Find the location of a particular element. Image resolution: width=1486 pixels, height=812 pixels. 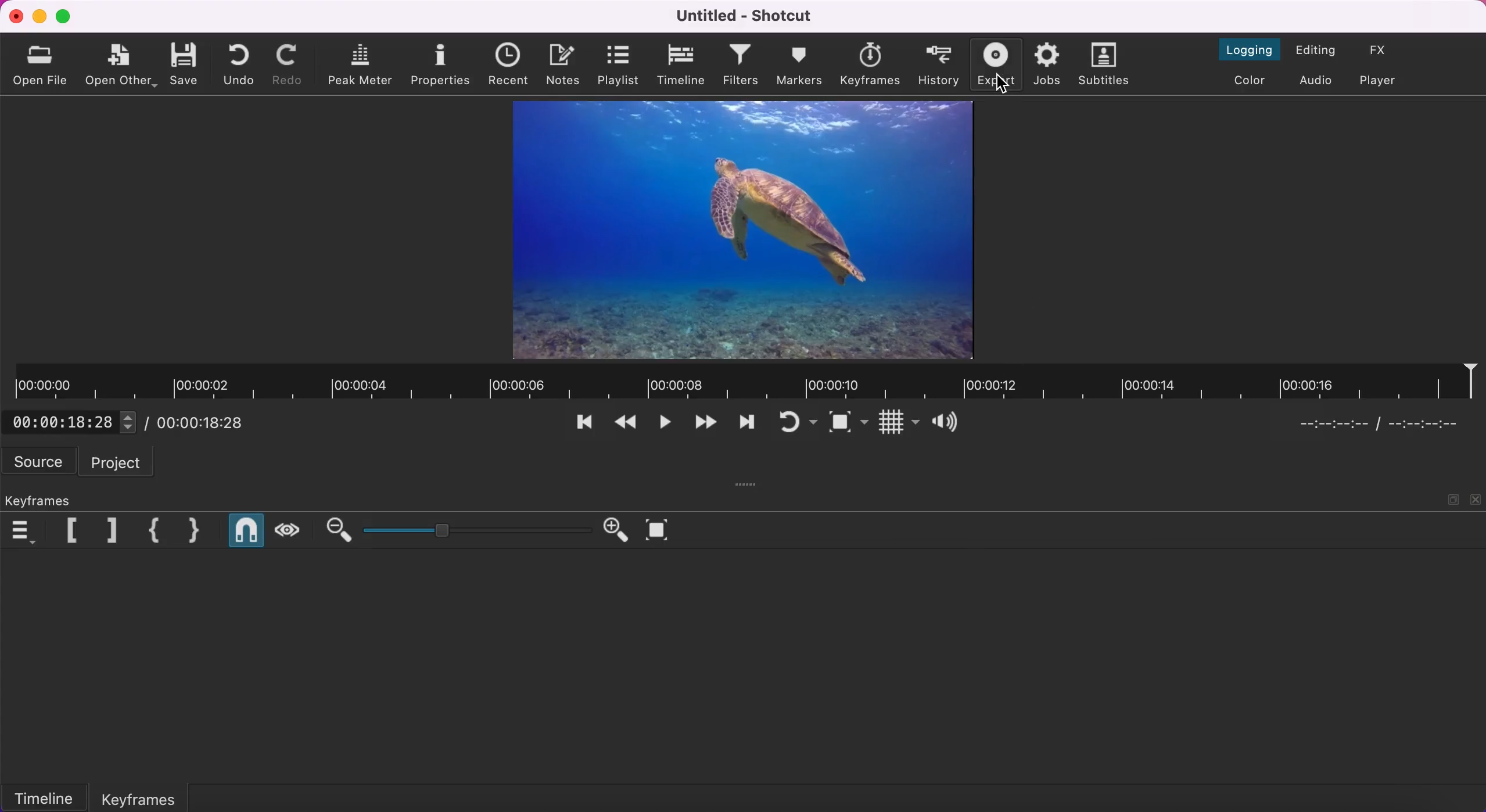

keyframes is located at coordinates (870, 66).